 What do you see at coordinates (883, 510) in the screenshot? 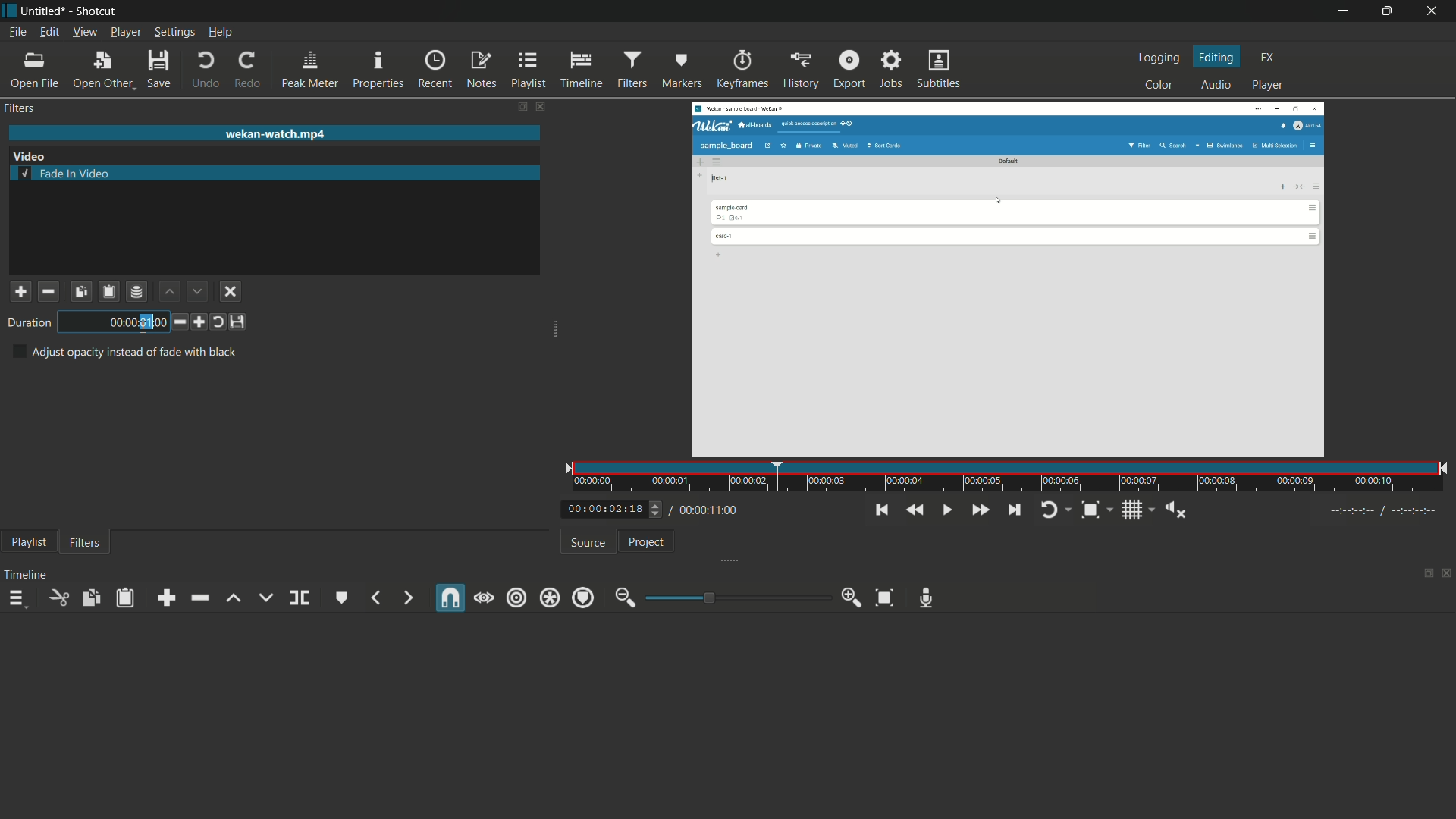
I see `skip to the previous point` at bounding box center [883, 510].